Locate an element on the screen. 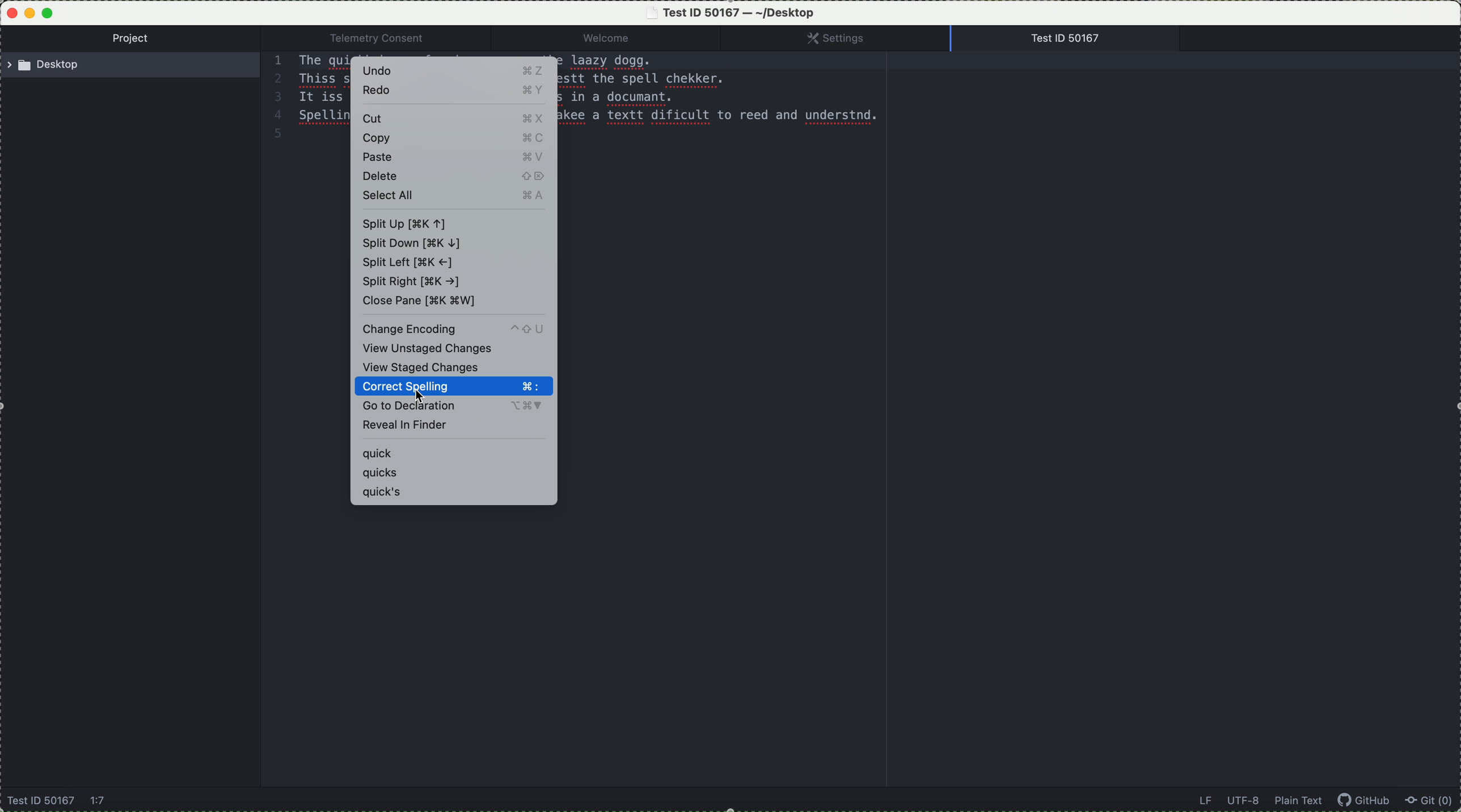 The width and height of the screenshot is (1461, 812). cursor is located at coordinates (422, 397).